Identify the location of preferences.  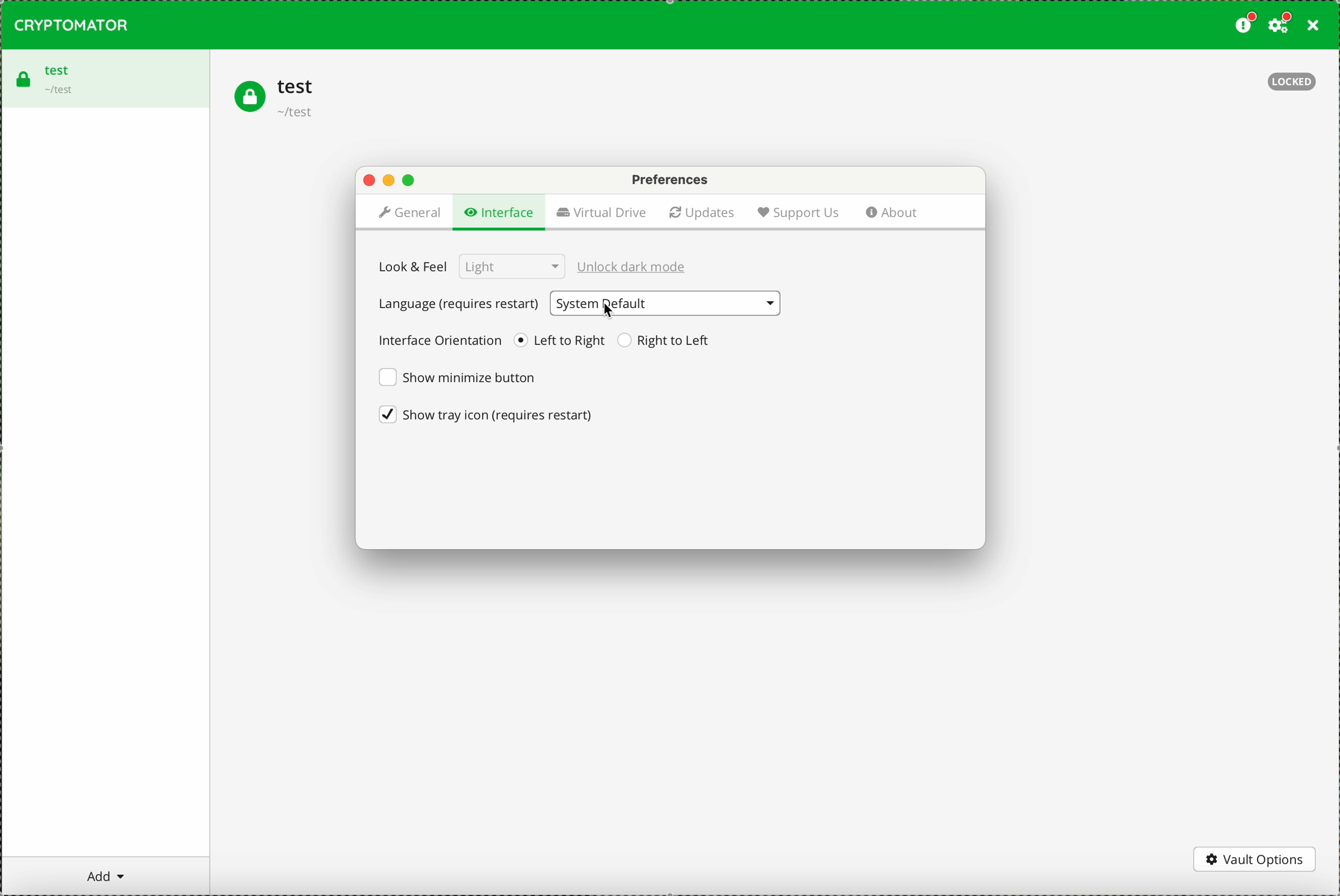
(671, 179).